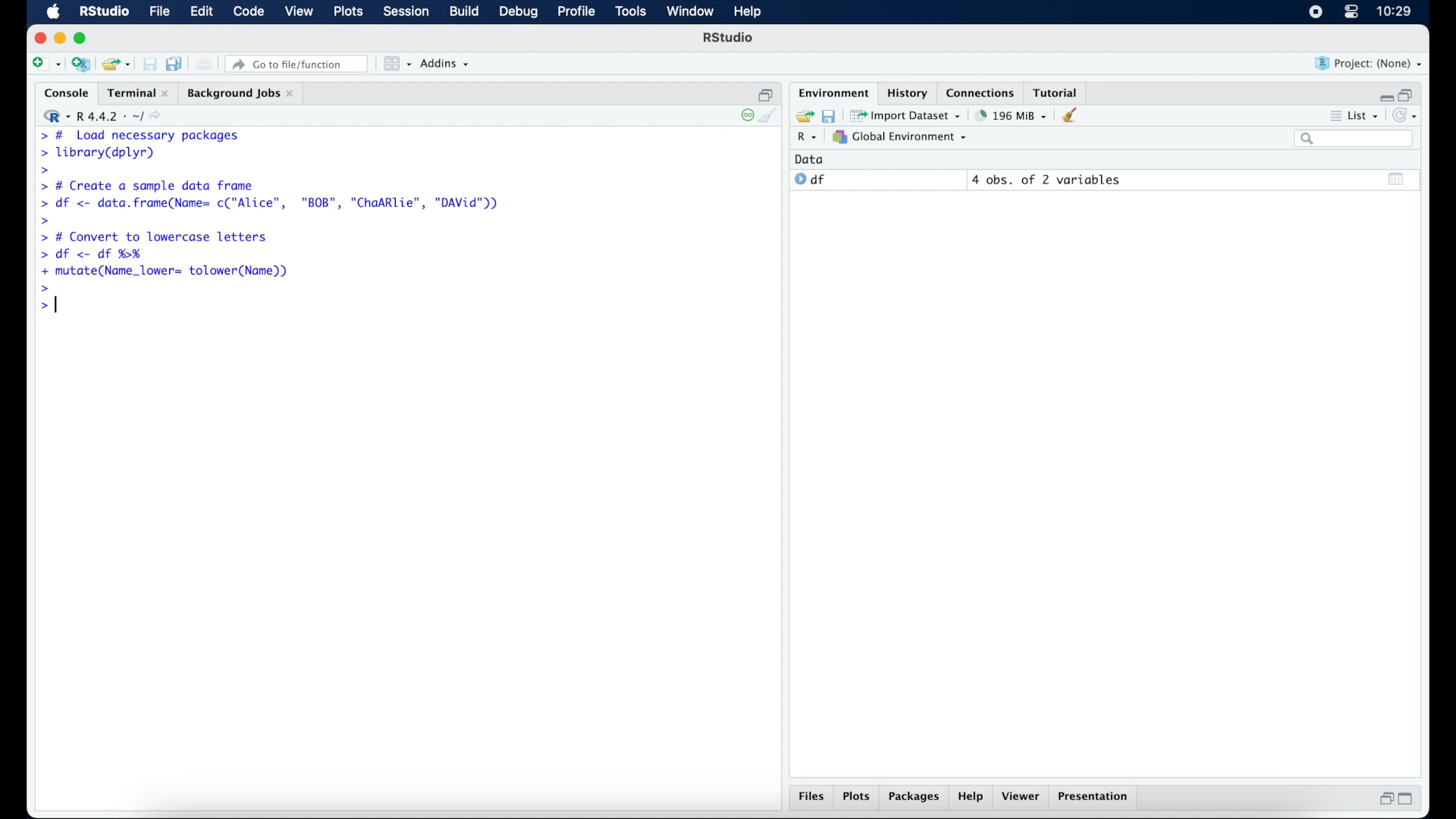  Describe the element at coordinates (810, 158) in the screenshot. I see `date` at that location.